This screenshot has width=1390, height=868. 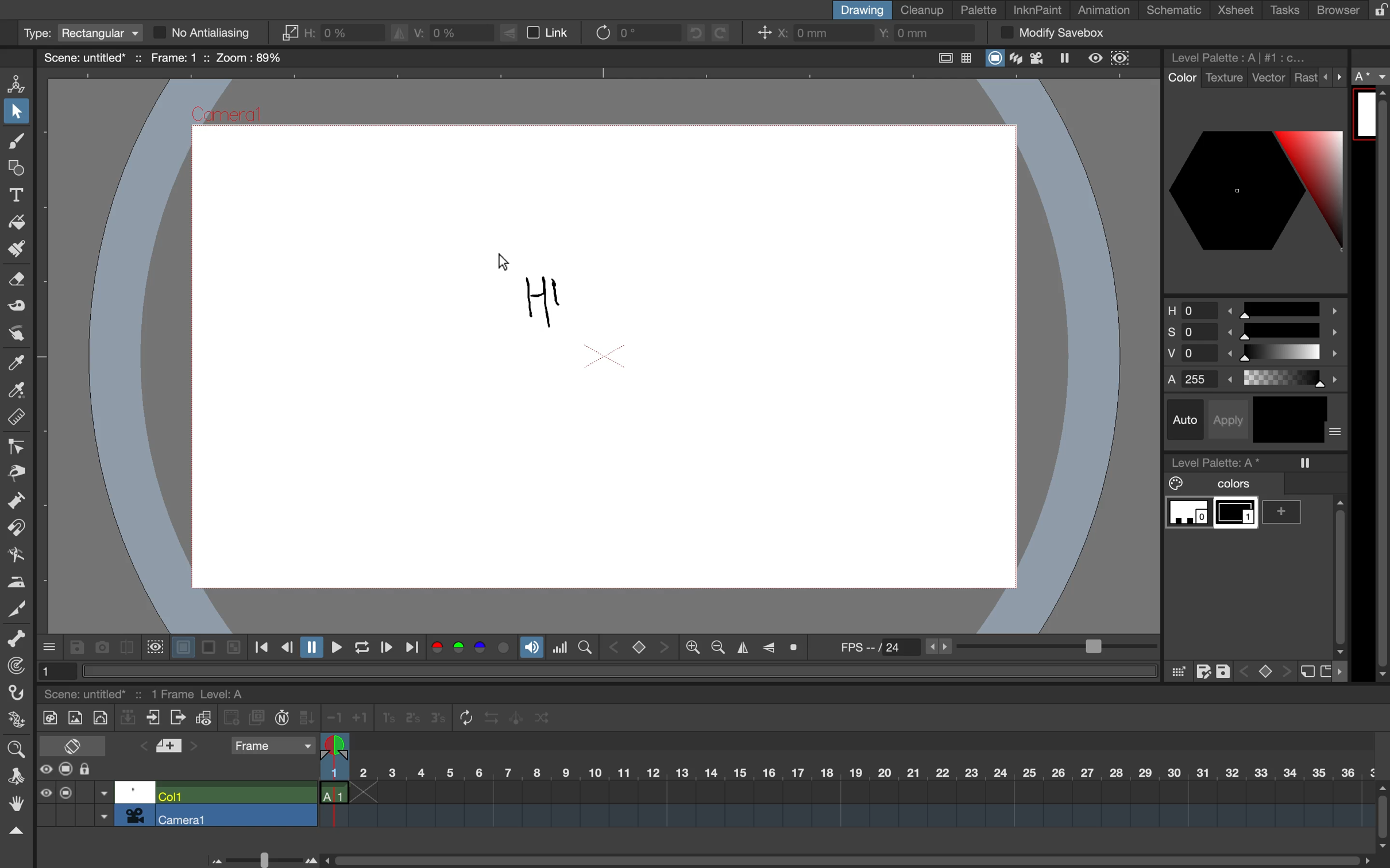 What do you see at coordinates (18, 502) in the screenshot?
I see `pump tool` at bounding box center [18, 502].